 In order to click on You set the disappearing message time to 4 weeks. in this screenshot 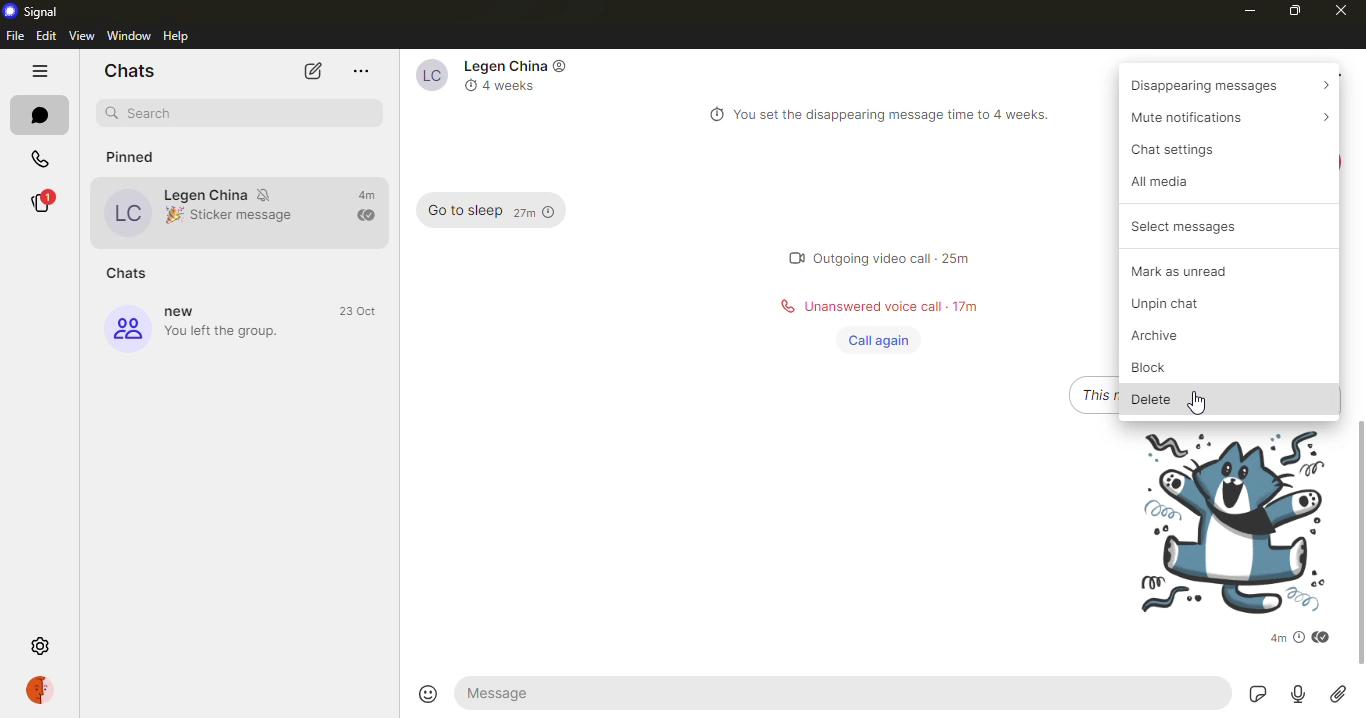, I will do `click(900, 115)`.